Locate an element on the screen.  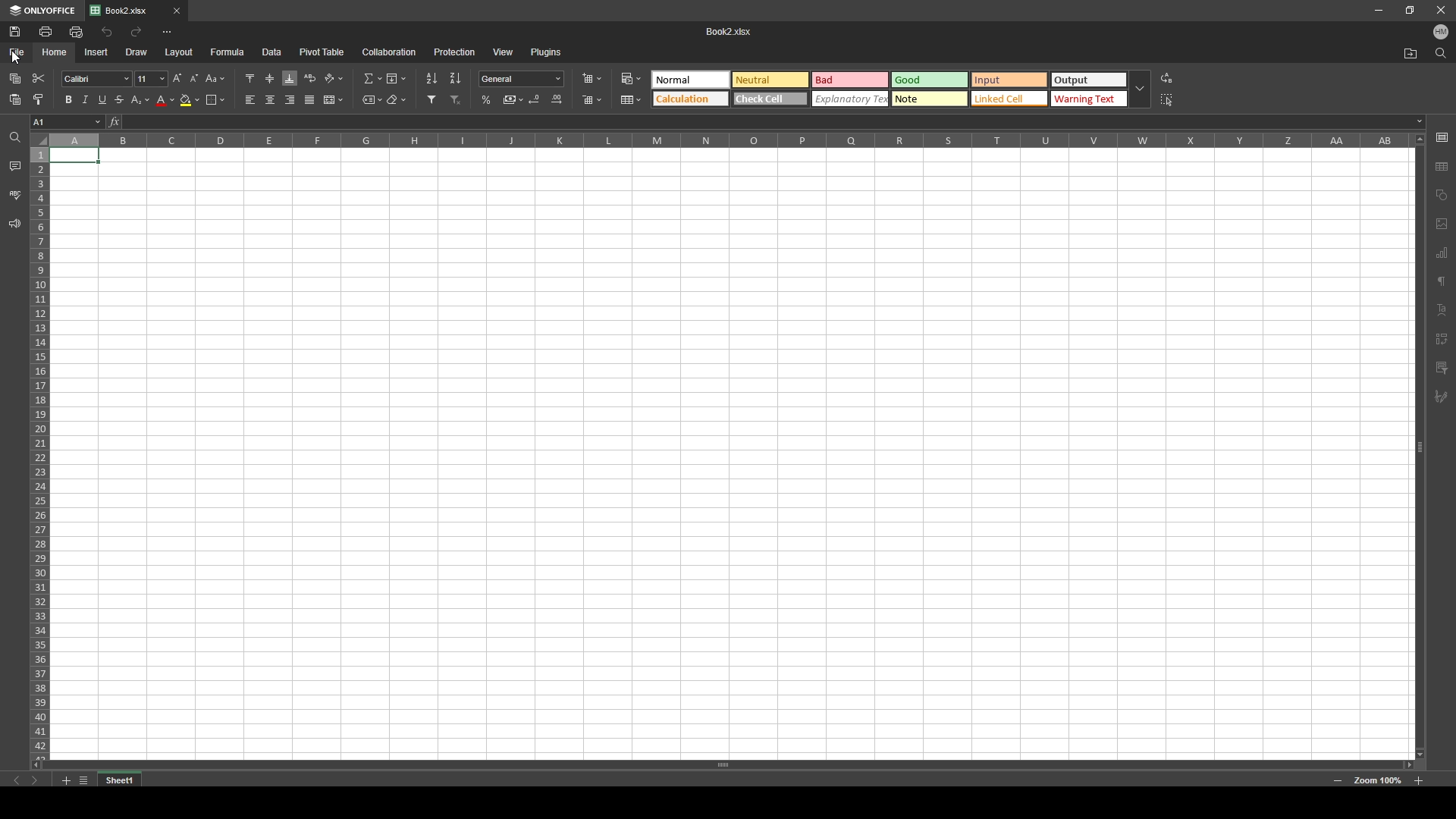
print file is located at coordinates (46, 31).